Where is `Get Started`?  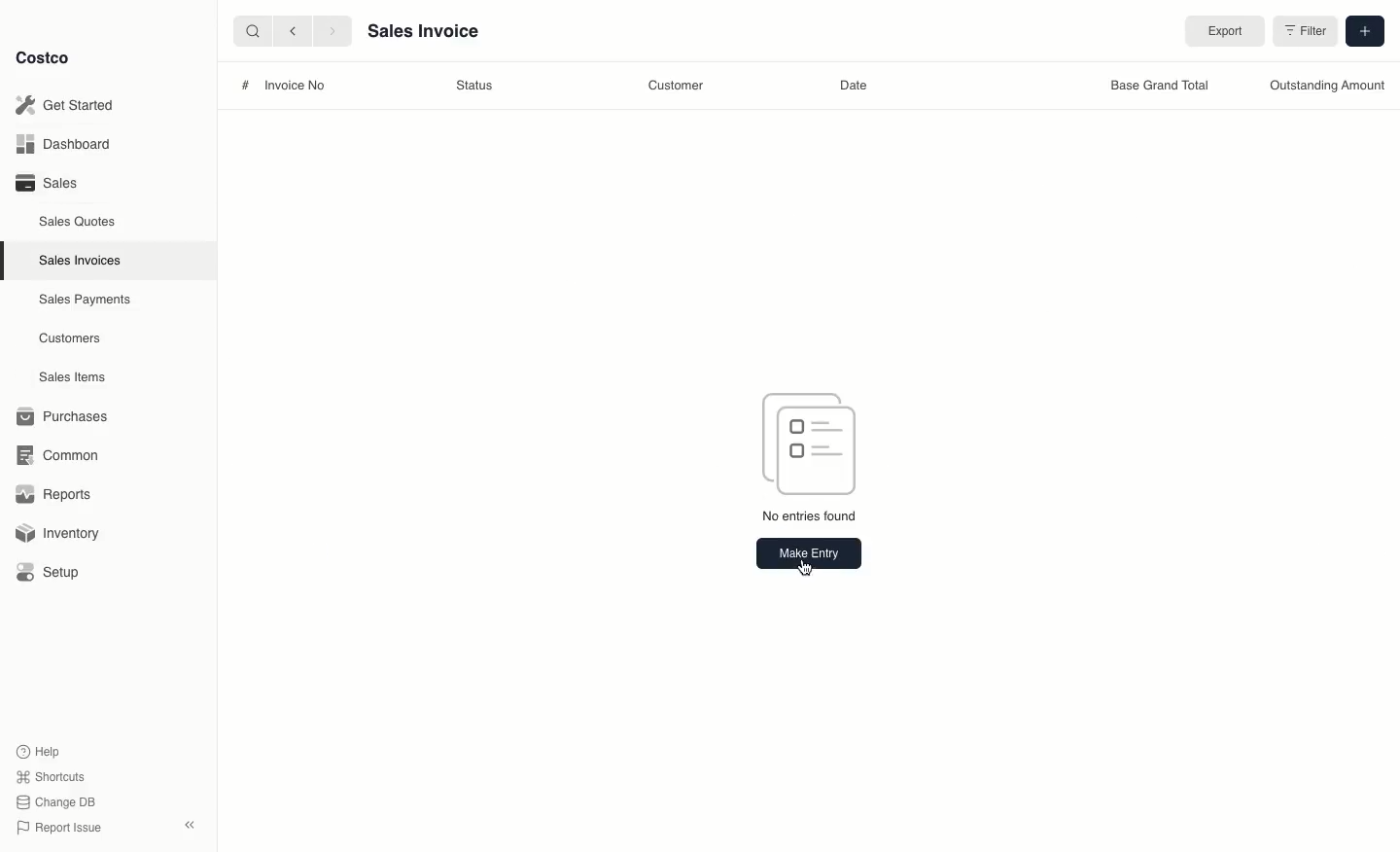
Get Started is located at coordinates (64, 104).